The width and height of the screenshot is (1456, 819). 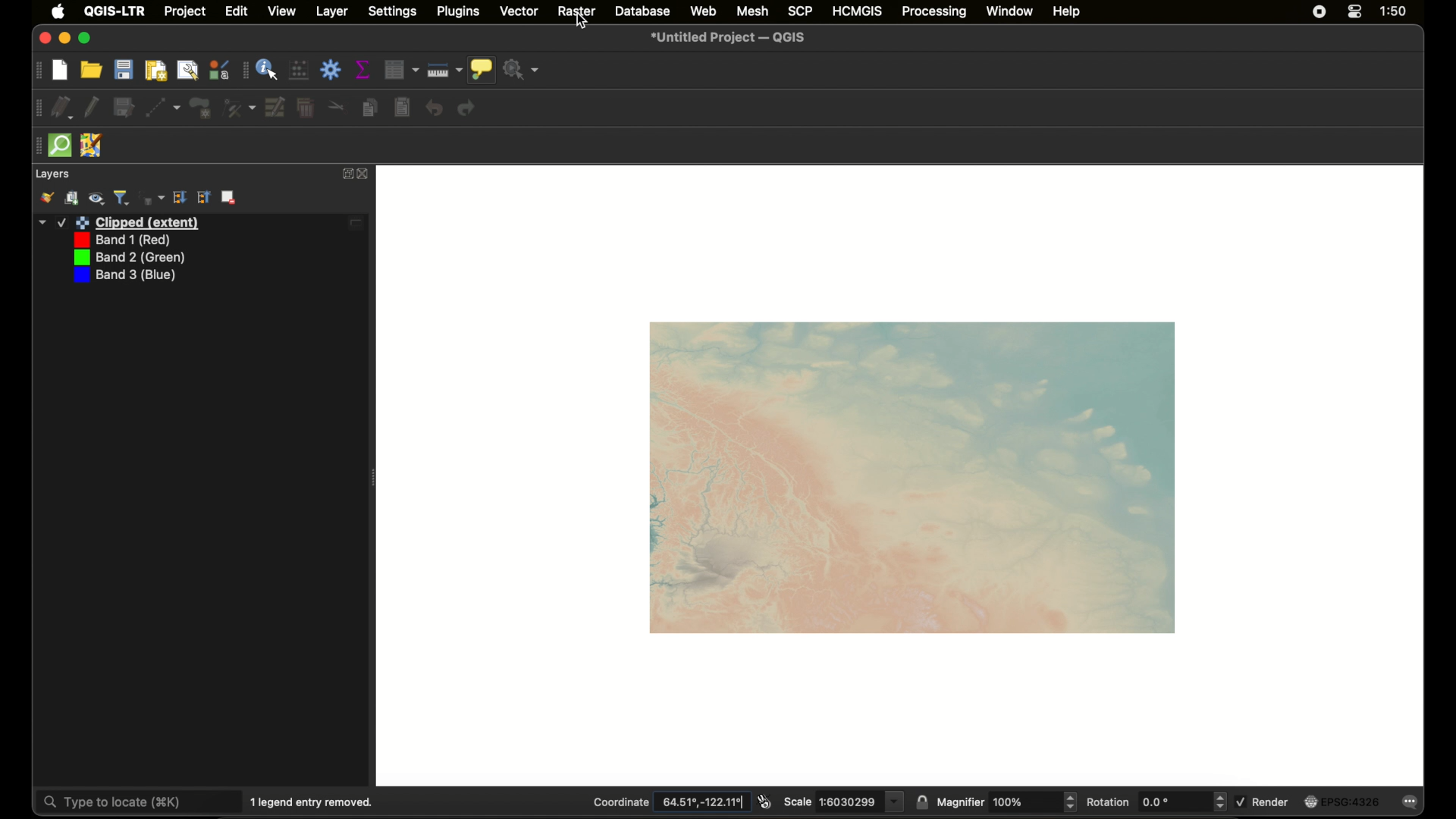 What do you see at coordinates (764, 802) in the screenshot?
I see `toggle  extents and mouse  display  position` at bounding box center [764, 802].